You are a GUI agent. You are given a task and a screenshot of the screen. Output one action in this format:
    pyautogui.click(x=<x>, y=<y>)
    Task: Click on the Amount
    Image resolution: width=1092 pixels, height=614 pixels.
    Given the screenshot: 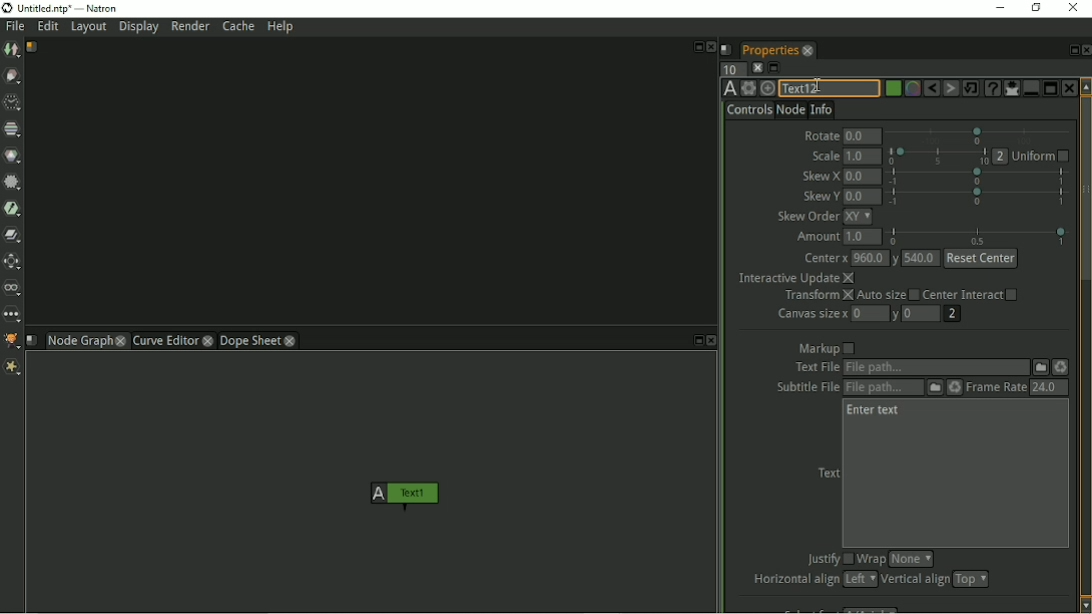 What is the action you would take?
    pyautogui.click(x=814, y=237)
    